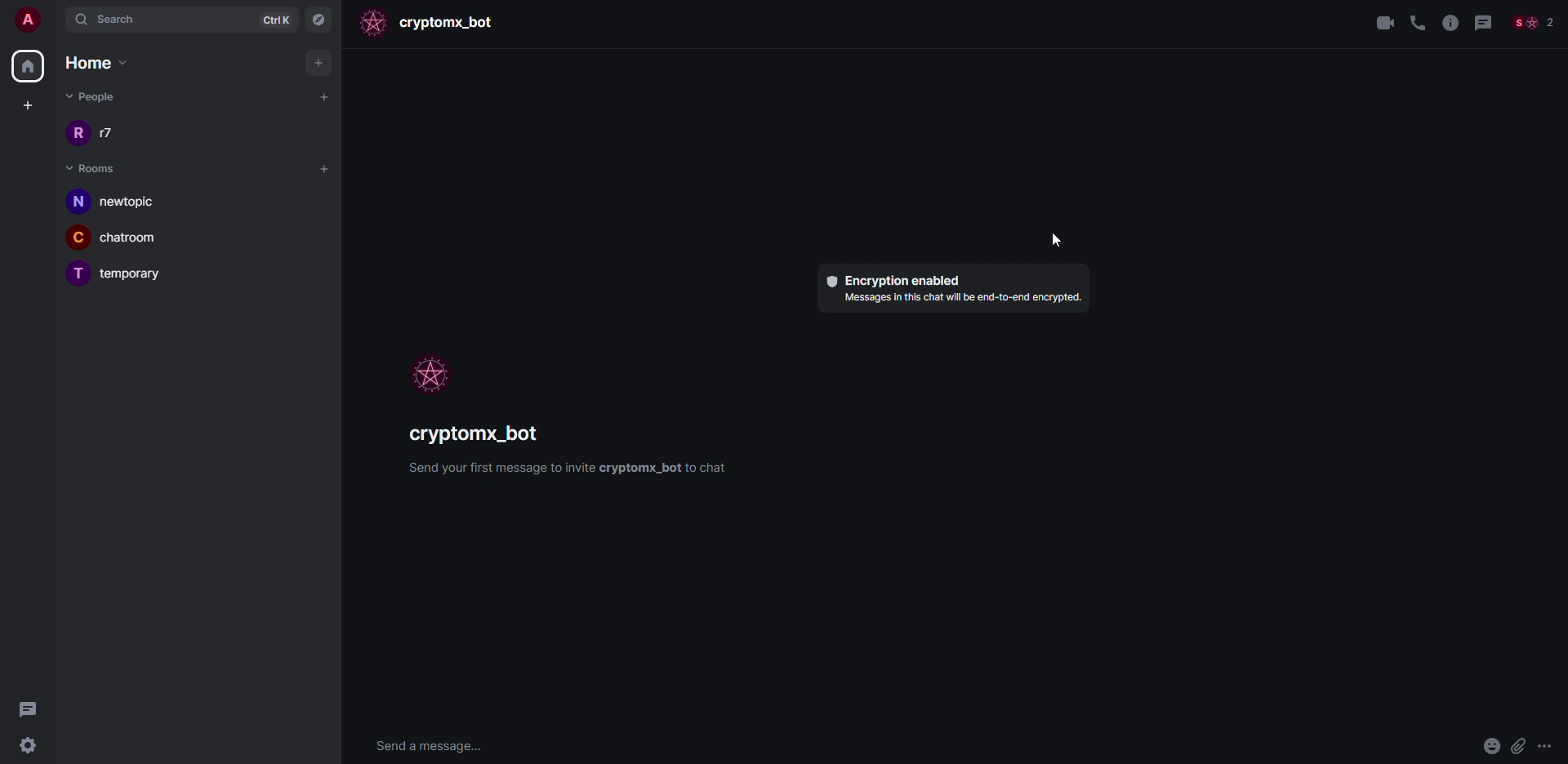  Describe the element at coordinates (1546, 747) in the screenshot. I see `more` at that location.